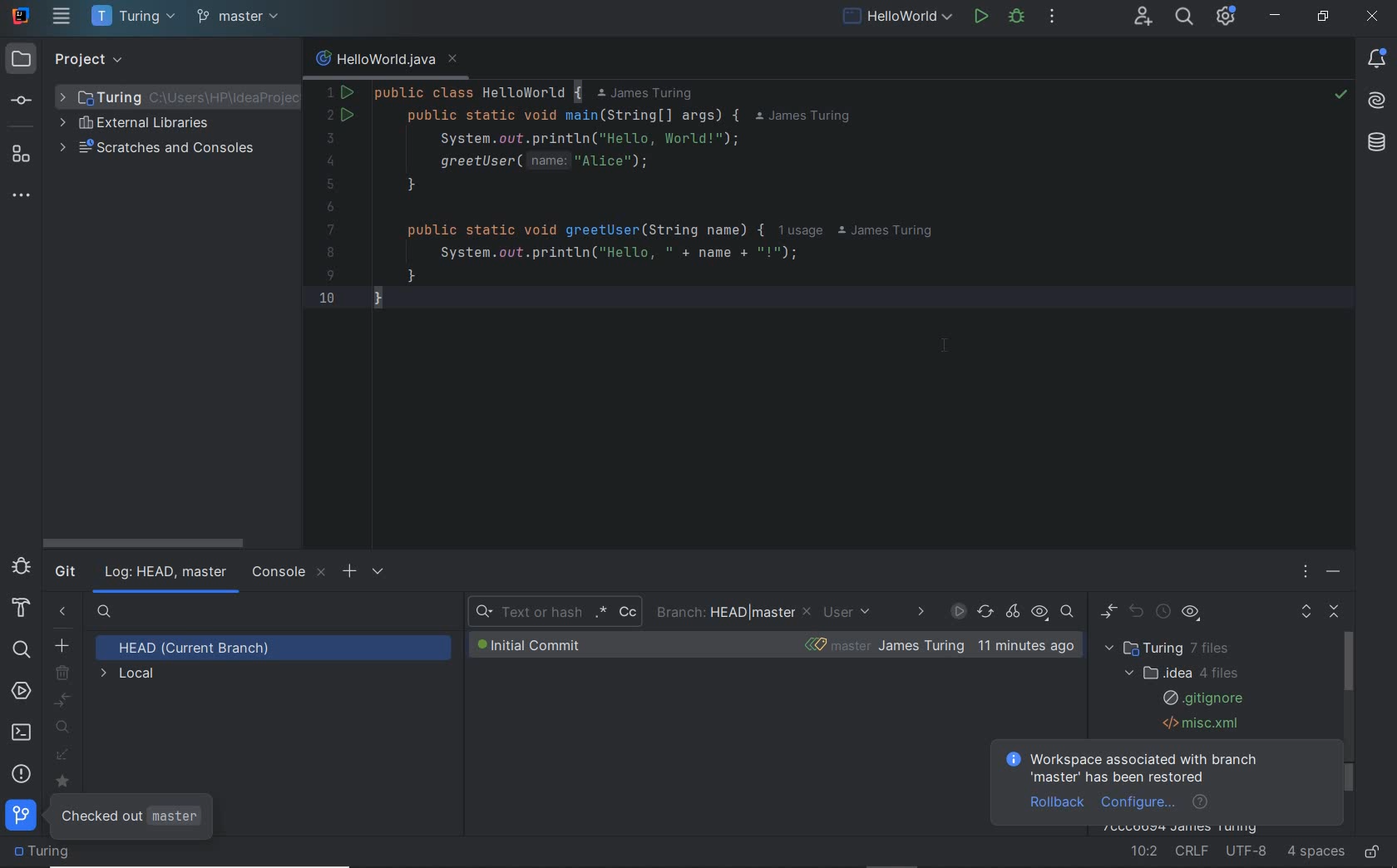 This screenshot has height=868, width=1397. What do you see at coordinates (1334, 575) in the screenshot?
I see `HIDE` at bounding box center [1334, 575].